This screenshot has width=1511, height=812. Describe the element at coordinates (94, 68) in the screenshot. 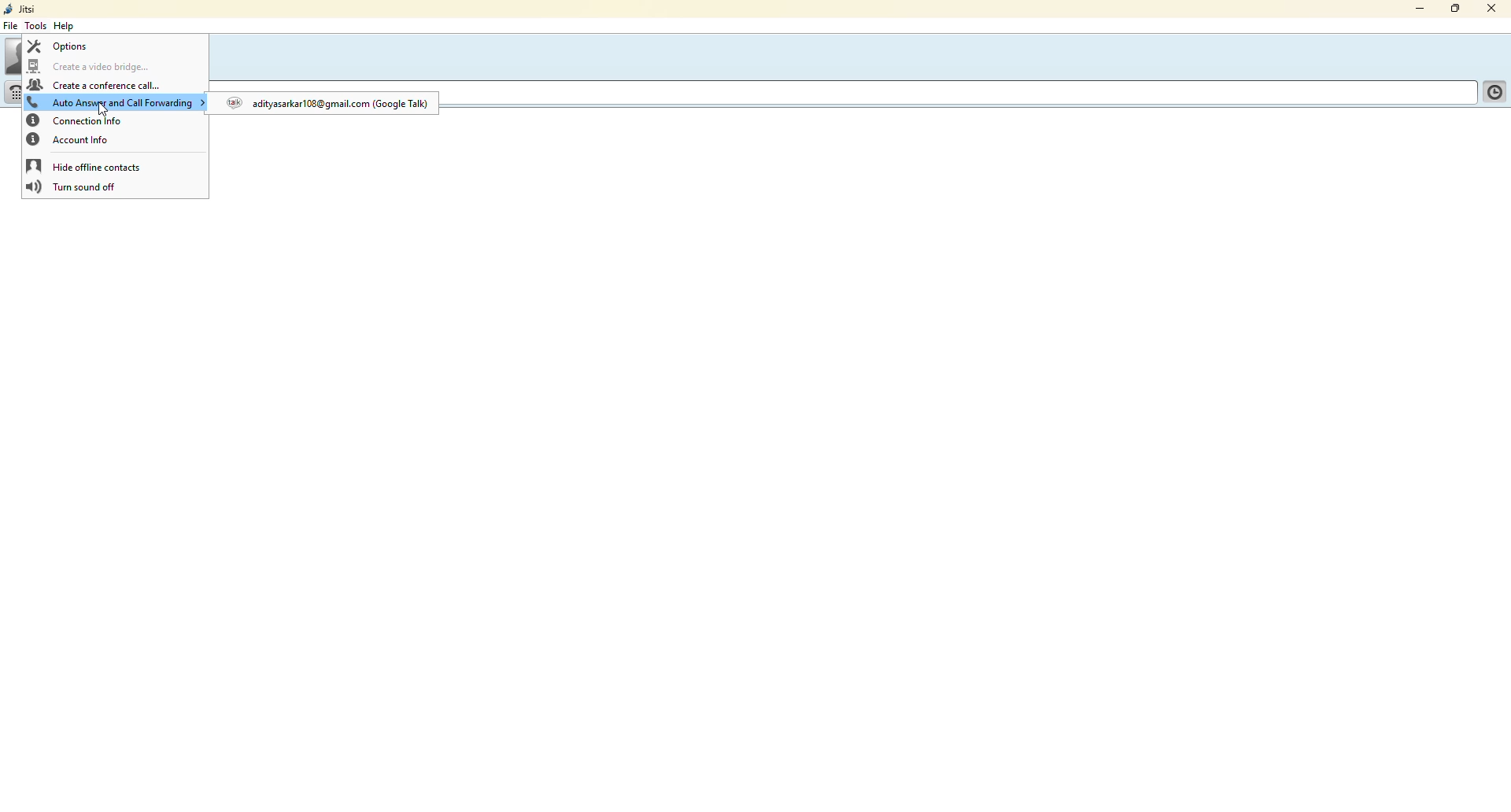

I see `create a video bridge` at that location.